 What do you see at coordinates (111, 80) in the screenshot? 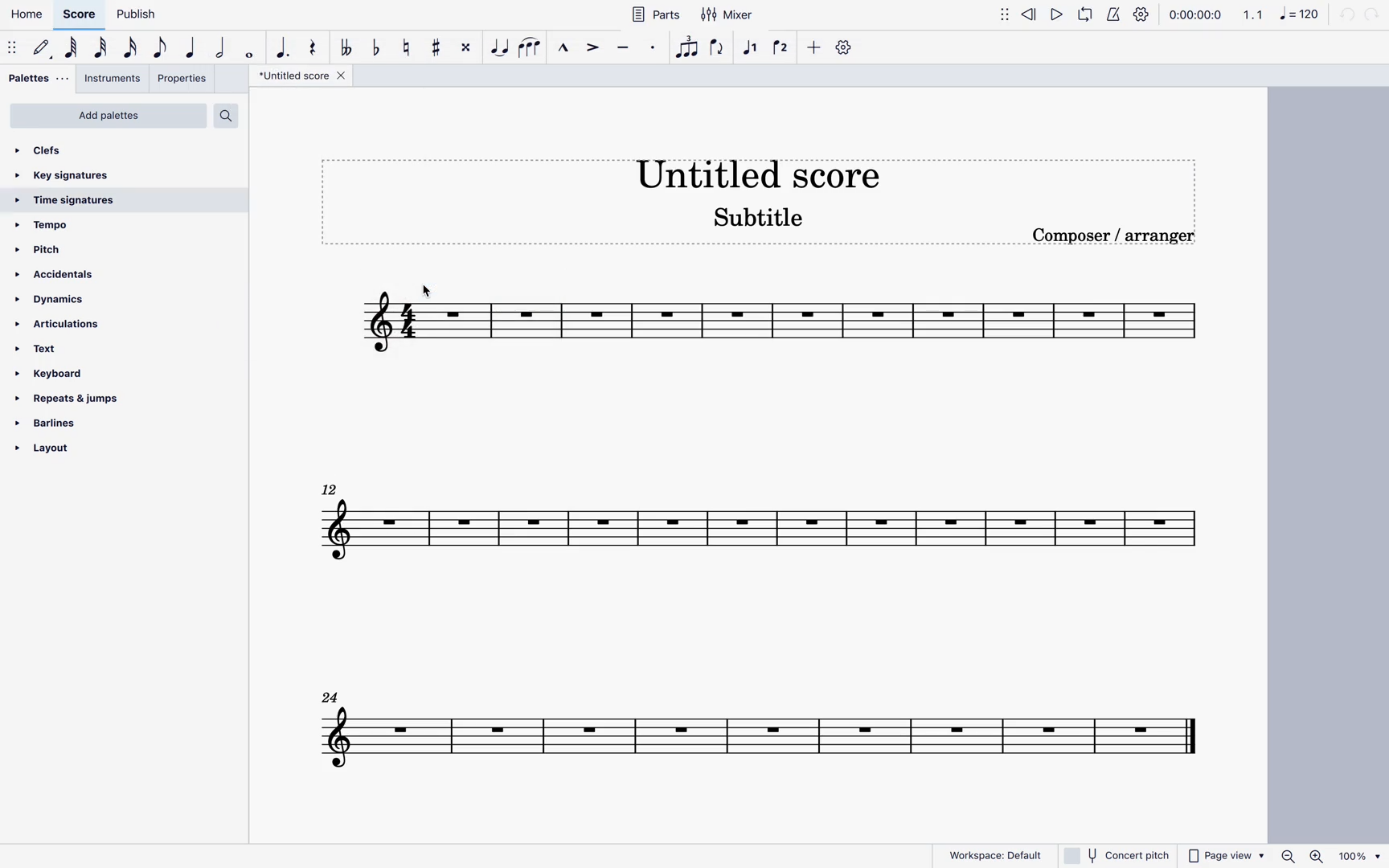
I see `instruments` at bounding box center [111, 80].